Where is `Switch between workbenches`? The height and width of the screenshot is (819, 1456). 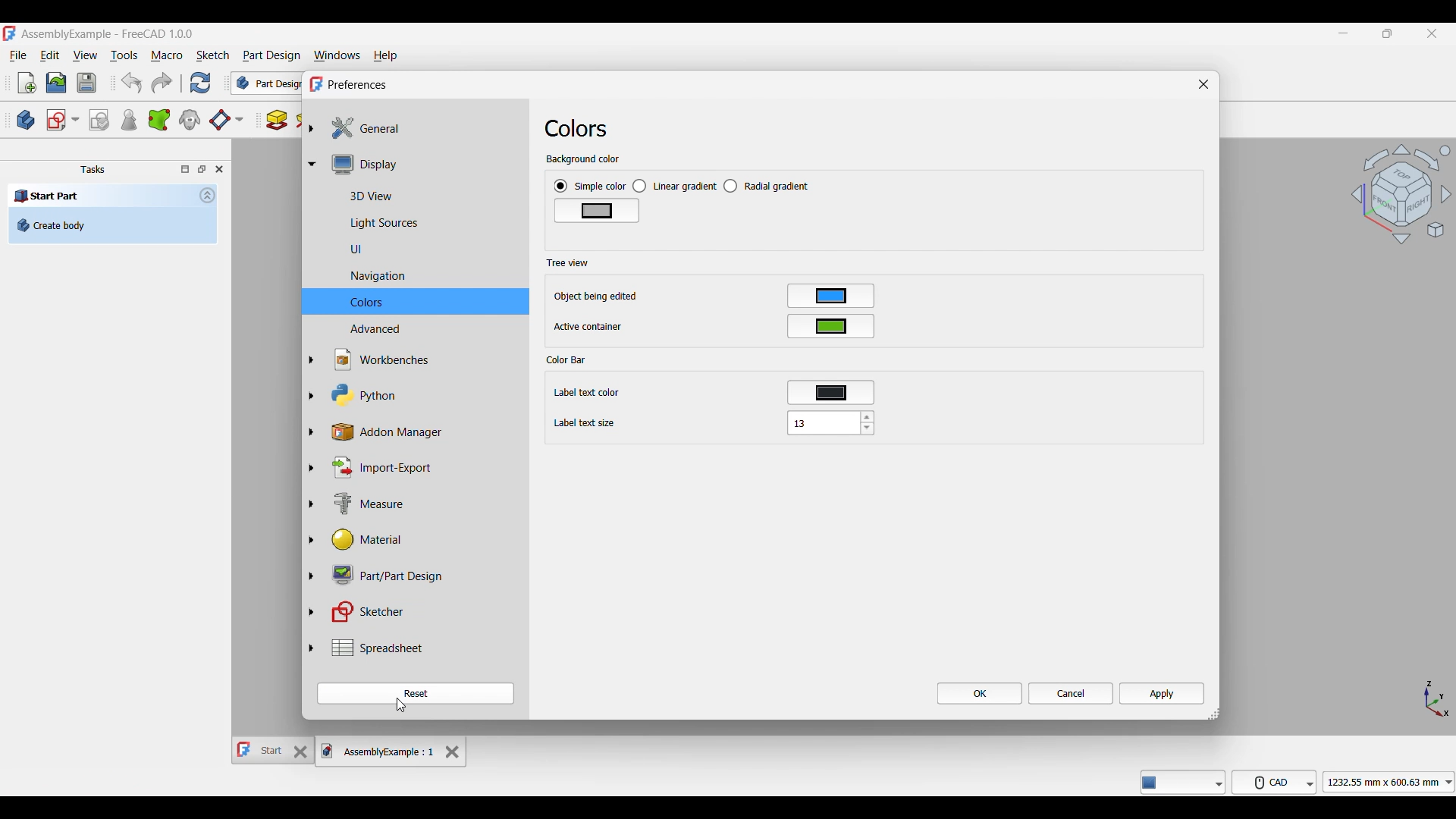 Switch between workbenches is located at coordinates (266, 83).